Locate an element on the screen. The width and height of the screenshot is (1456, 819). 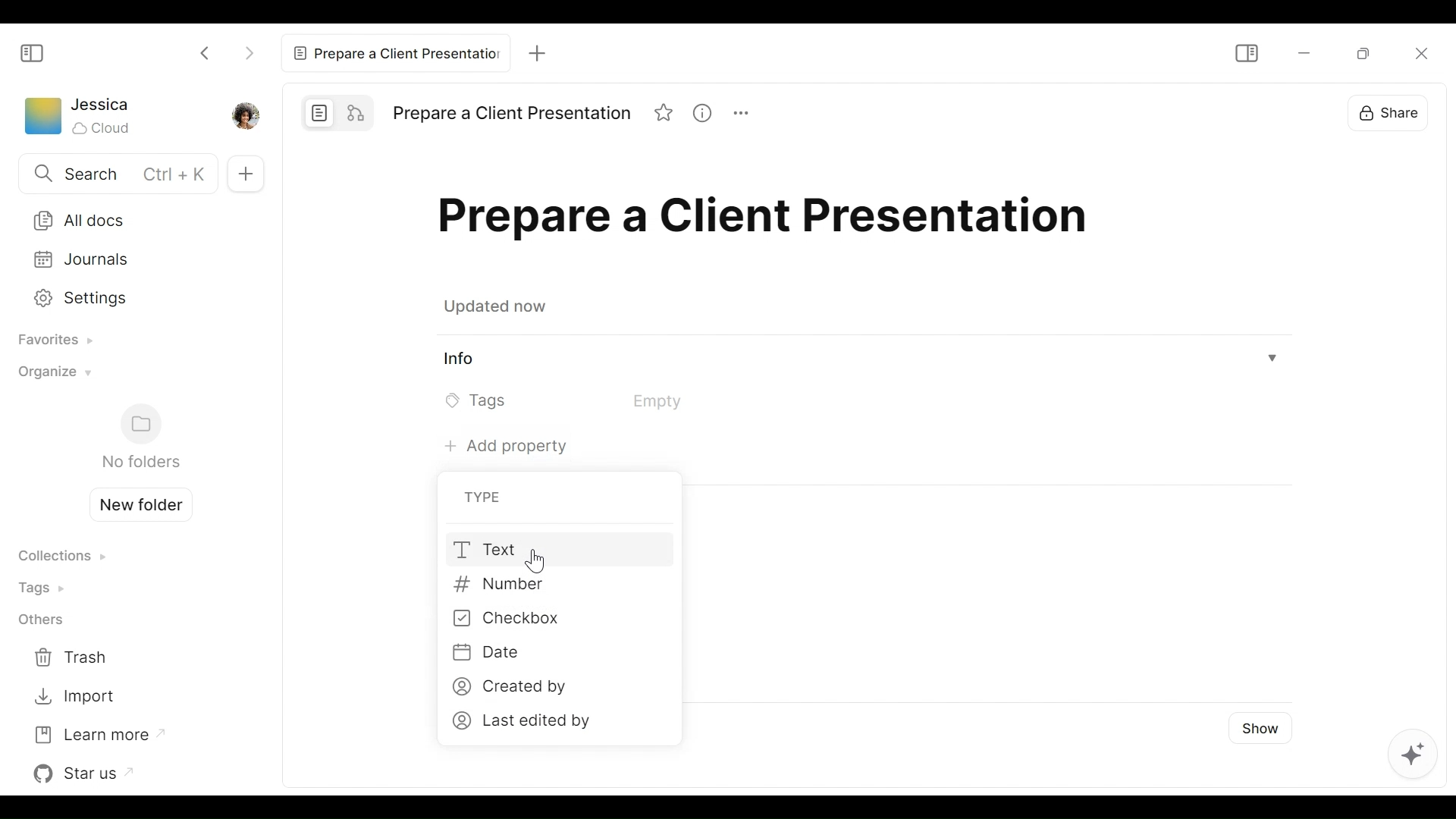
Created by is located at coordinates (554, 687).